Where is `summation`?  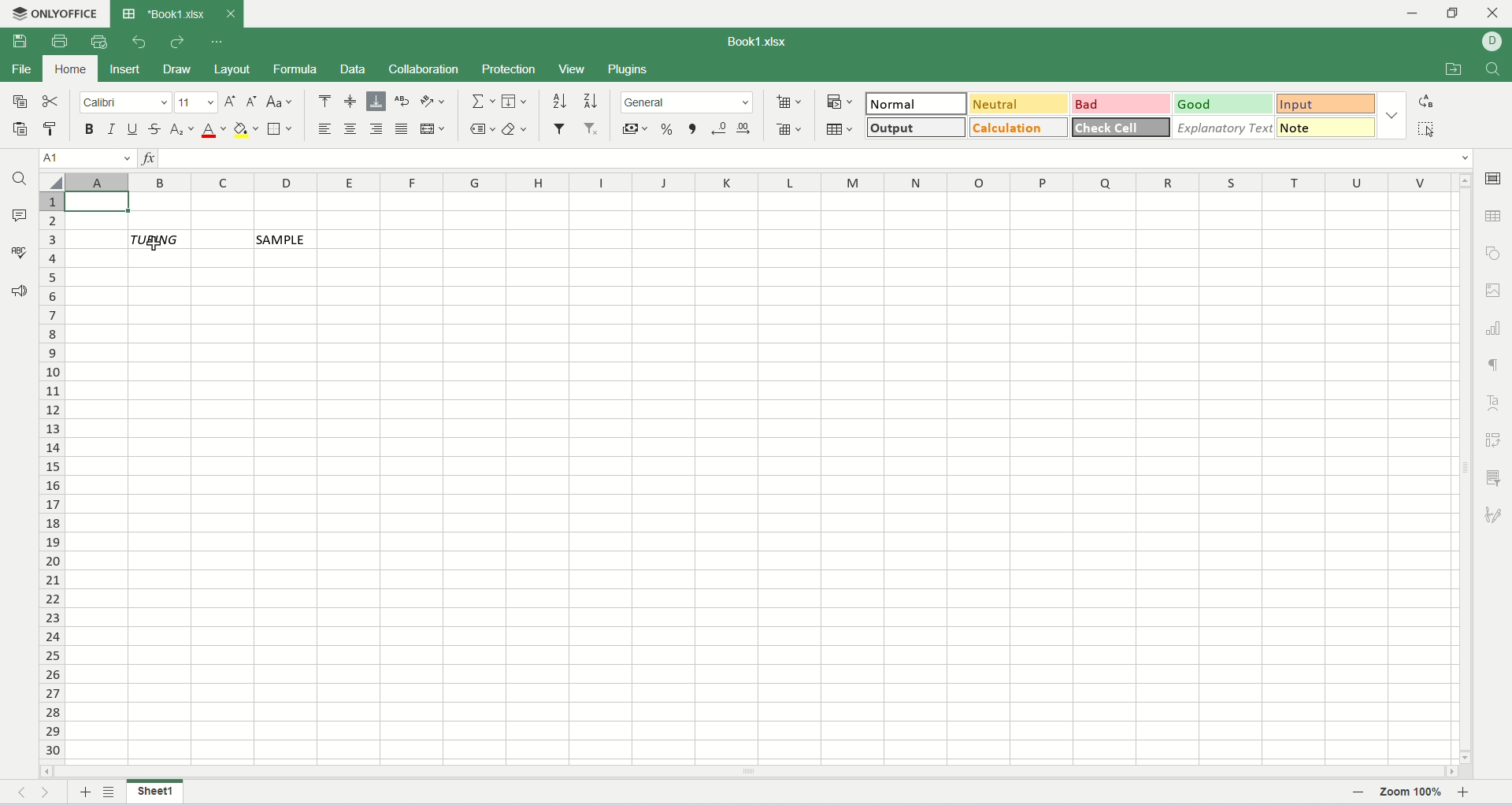 summation is located at coordinates (484, 102).